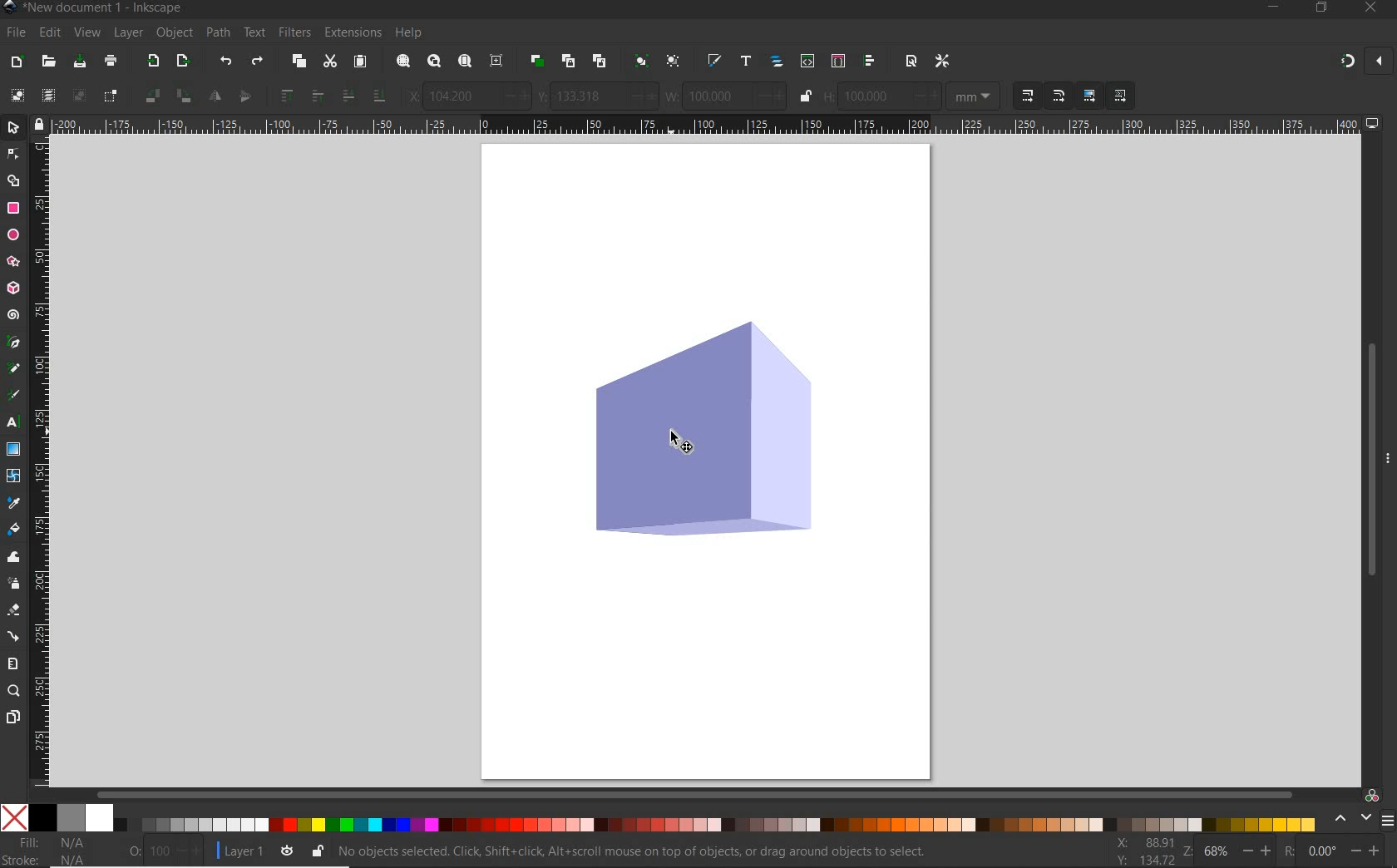 Image resolution: width=1397 pixels, height=868 pixels. What do you see at coordinates (234, 851) in the screenshot?
I see `CURRENT LAYER` at bounding box center [234, 851].